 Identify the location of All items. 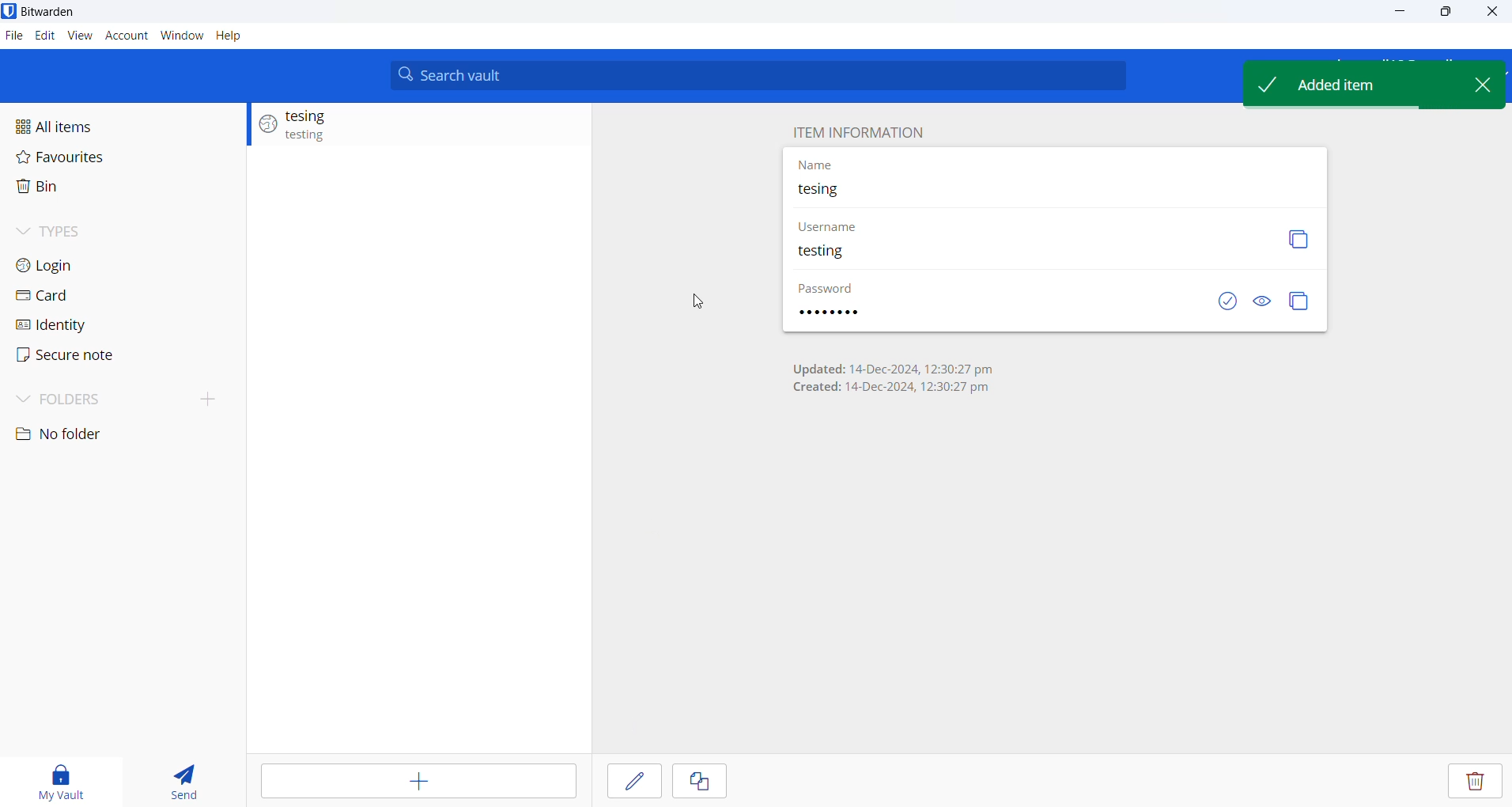
(90, 125).